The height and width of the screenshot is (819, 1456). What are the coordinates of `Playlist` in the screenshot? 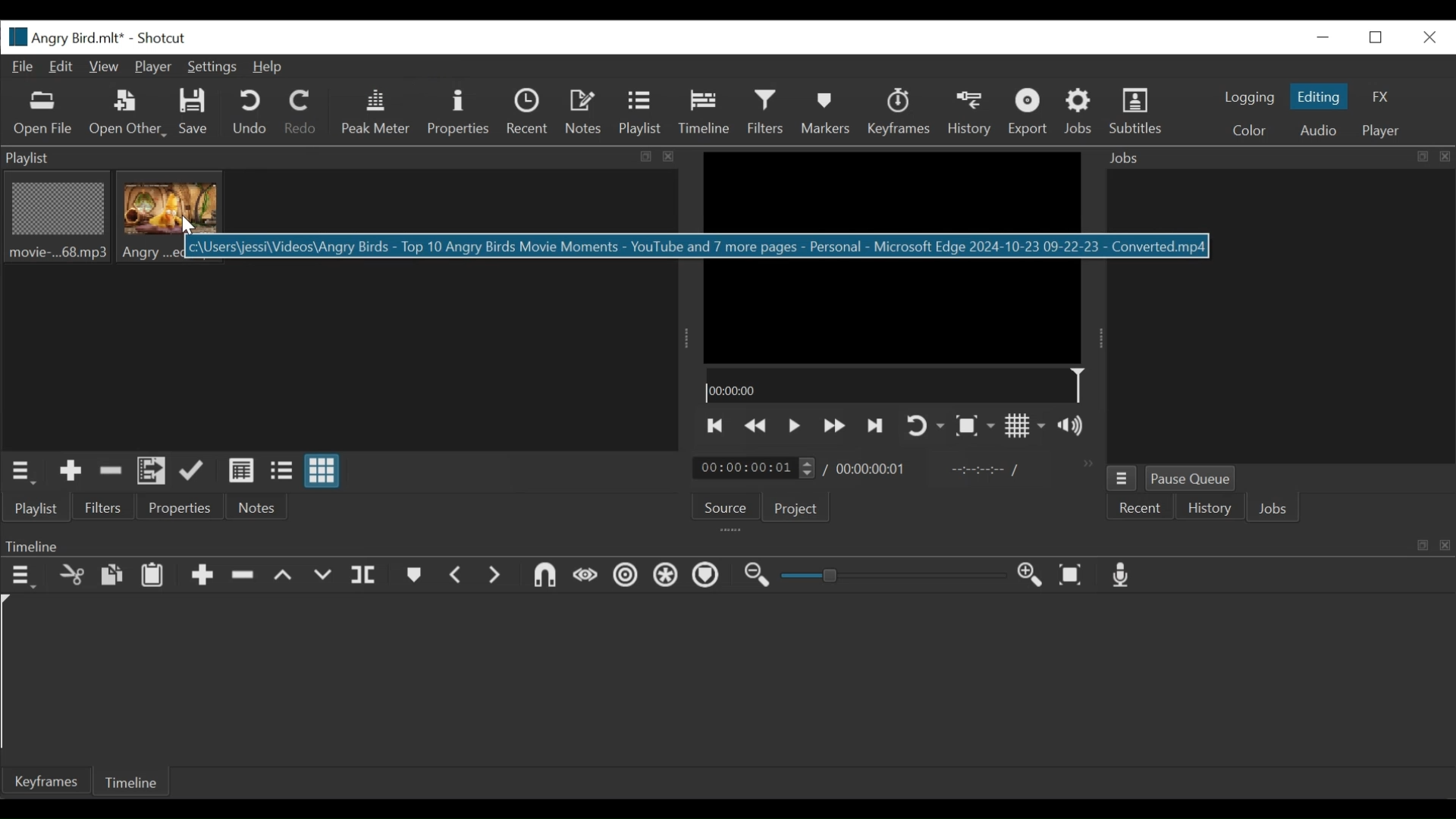 It's located at (37, 509).